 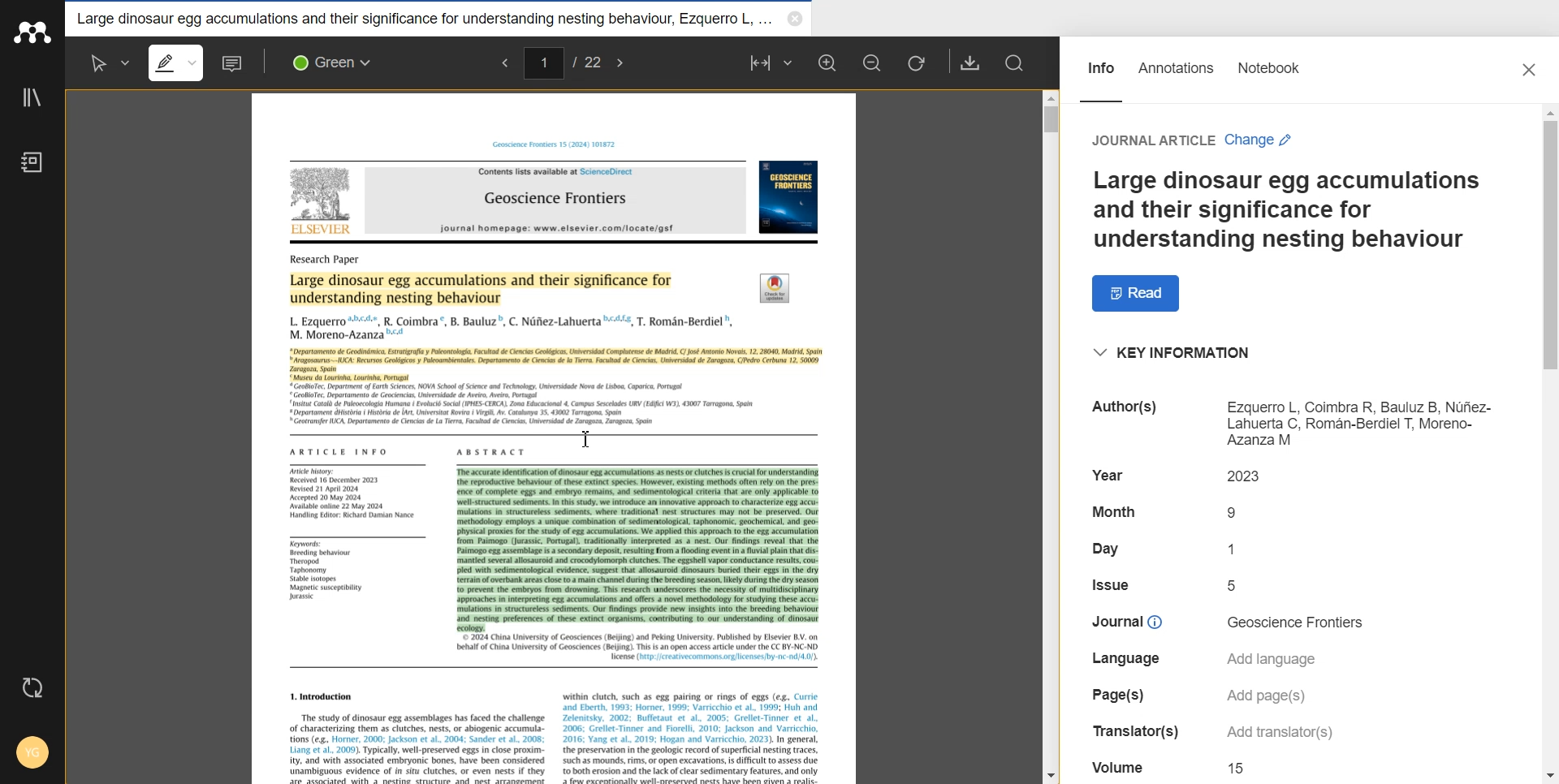 What do you see at coordinates (558, 144) in the screenshot?
I see `header` at bounding box center [558, 144].